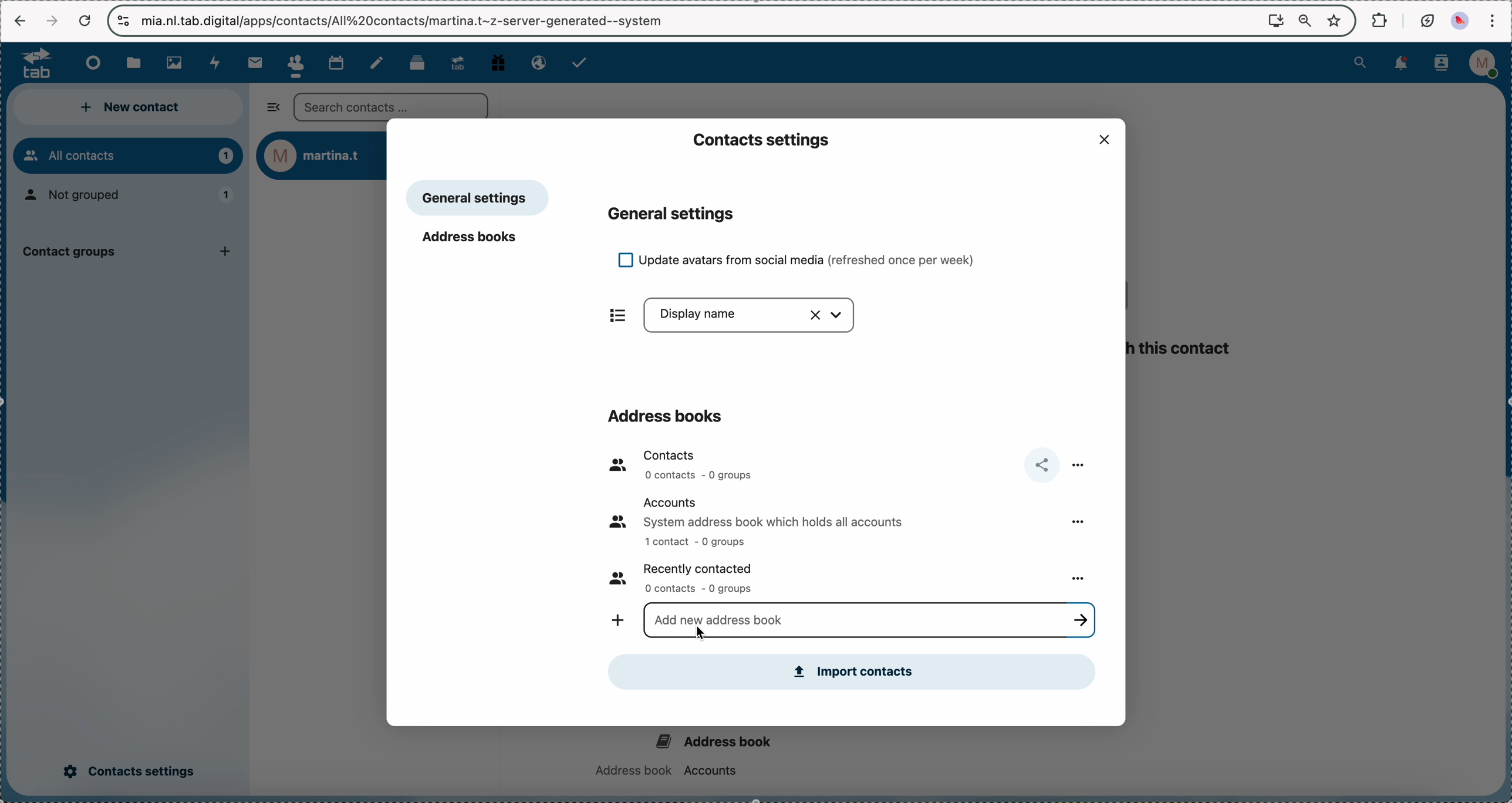 This screenshot has height=803, width=1512. Describe the element at coordinates (129, 772) in the screenshot. I see `click on contacts settings` at that location.